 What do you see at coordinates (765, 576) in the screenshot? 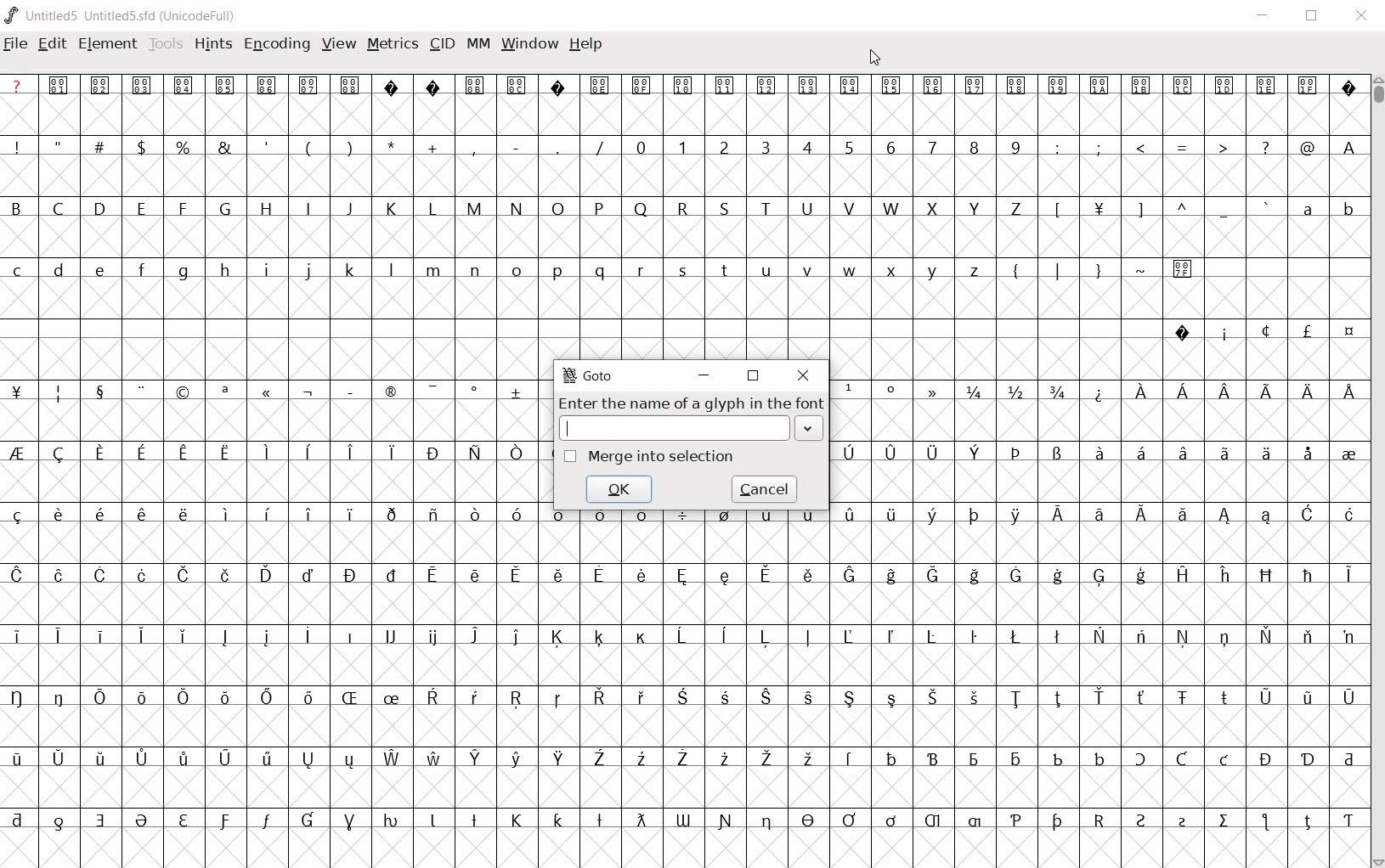
I see `Symbol` at bounding box center [765, 576].